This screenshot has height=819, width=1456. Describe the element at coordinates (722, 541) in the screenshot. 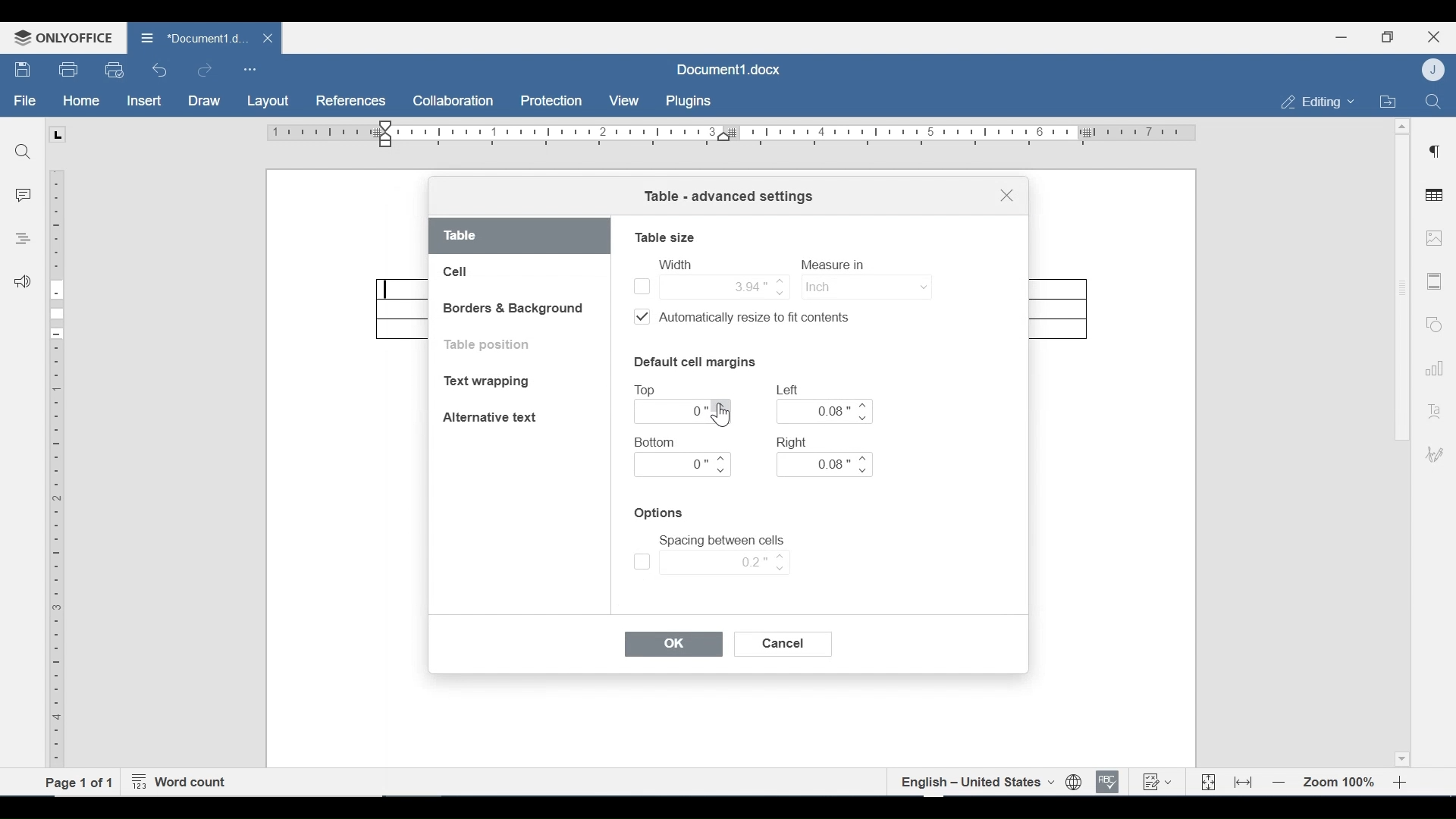

I see `Spacing between cells` at that location.